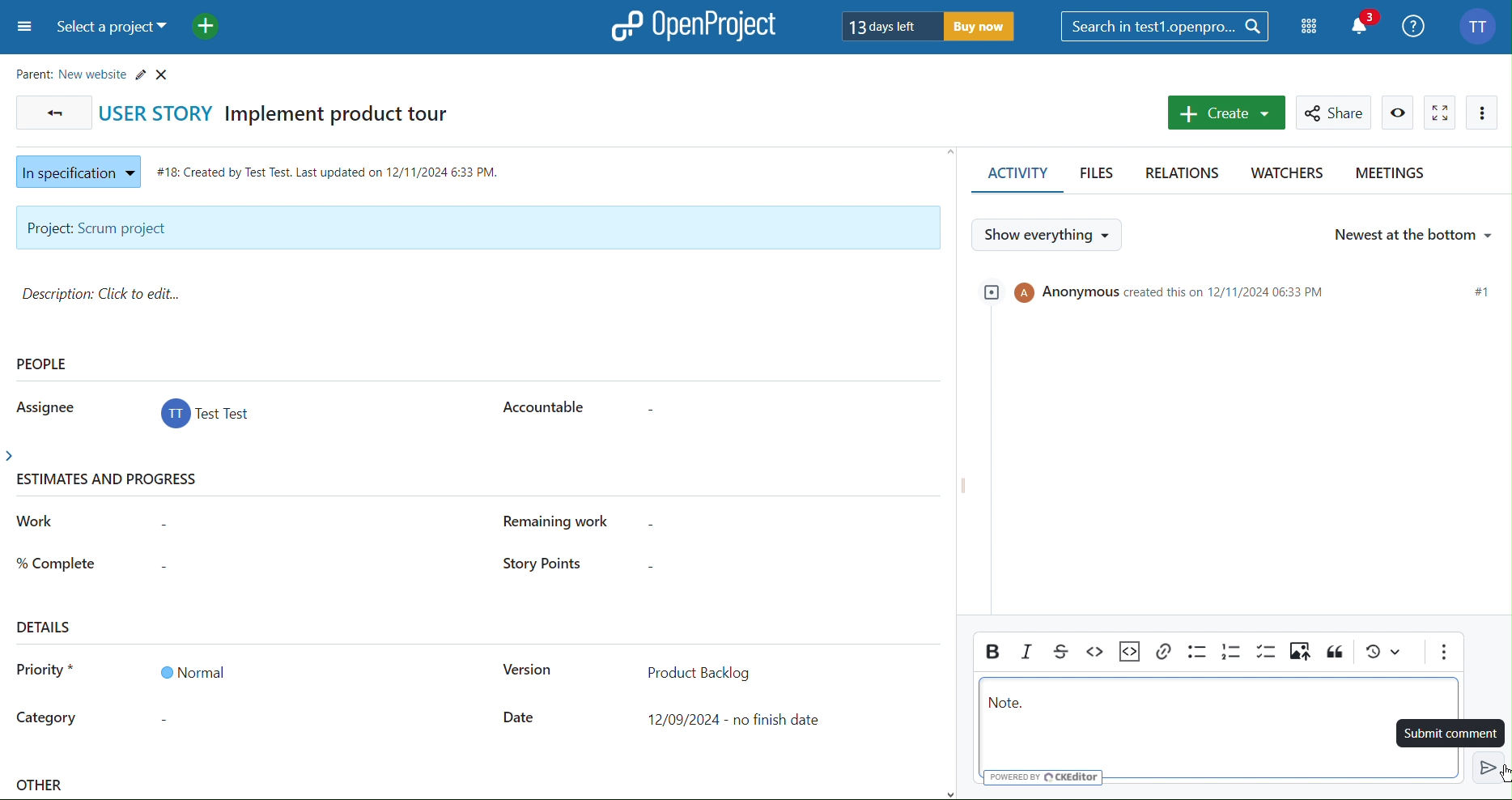  I want to click on In specification, so click(74, 169).